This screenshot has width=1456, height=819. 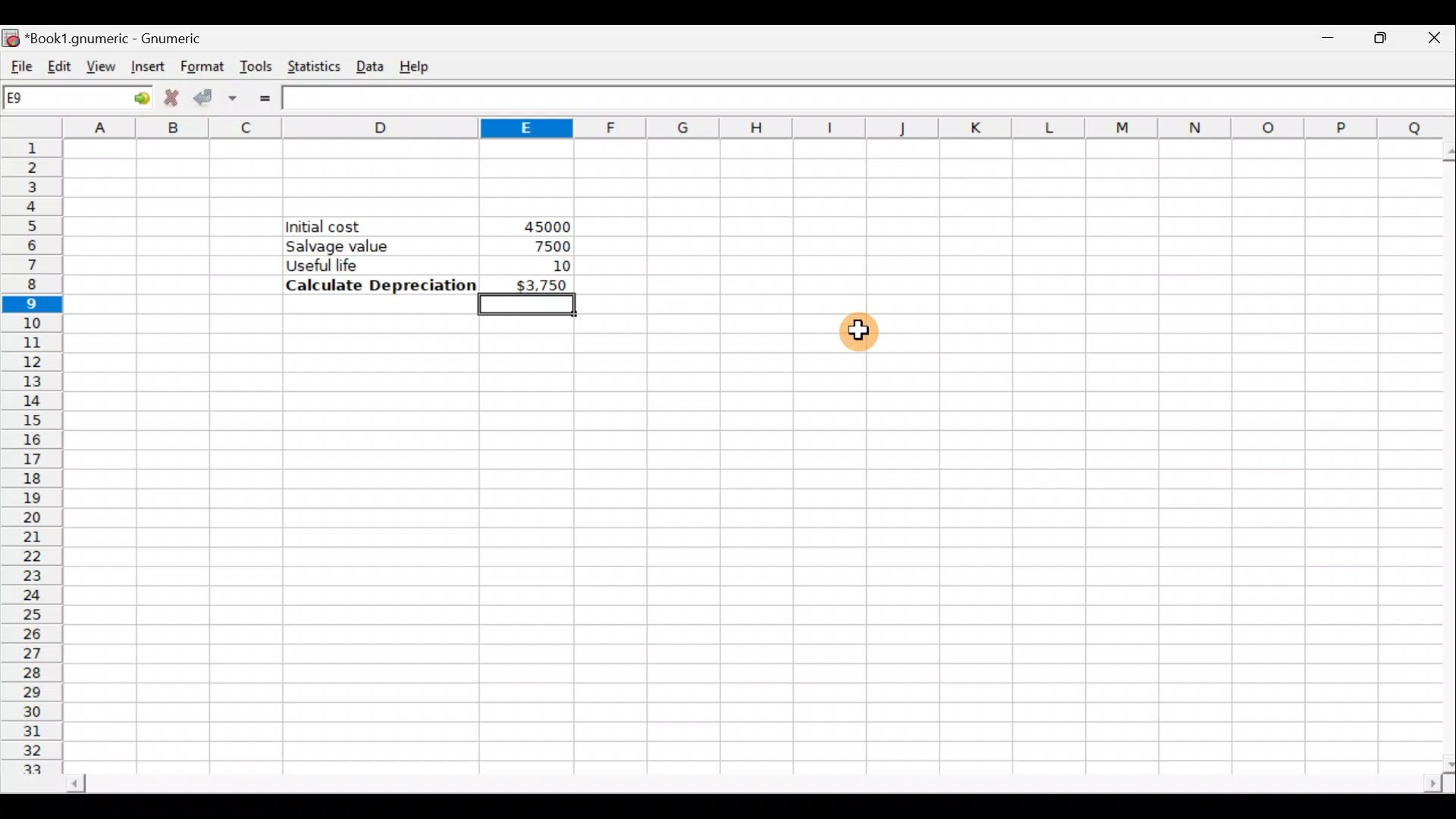 I want to click on 45000, so click(x=543, y=224).